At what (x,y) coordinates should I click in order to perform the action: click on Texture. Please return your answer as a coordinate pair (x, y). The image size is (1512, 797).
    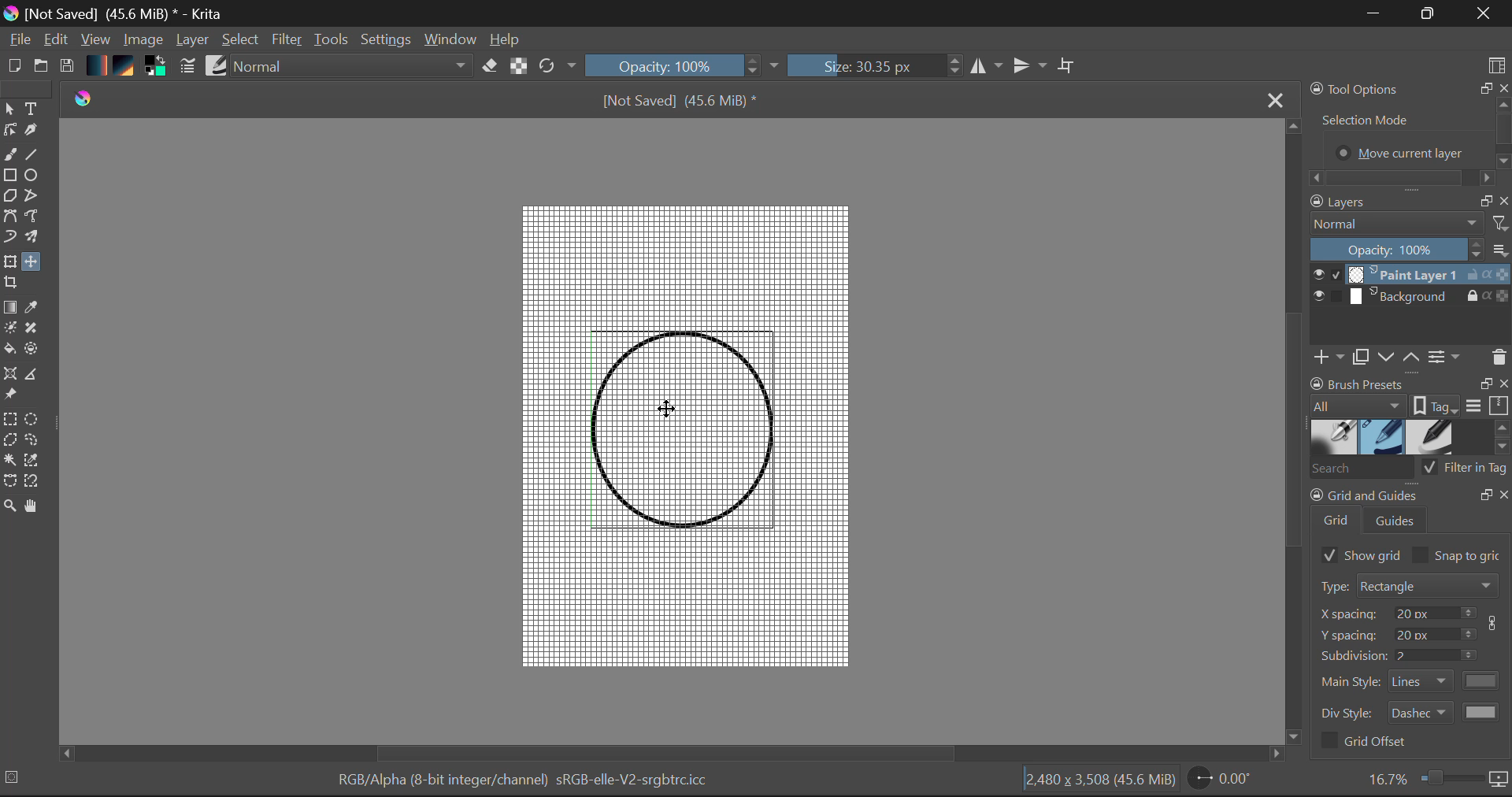
    Looking at the image, I should click on (128, 68).